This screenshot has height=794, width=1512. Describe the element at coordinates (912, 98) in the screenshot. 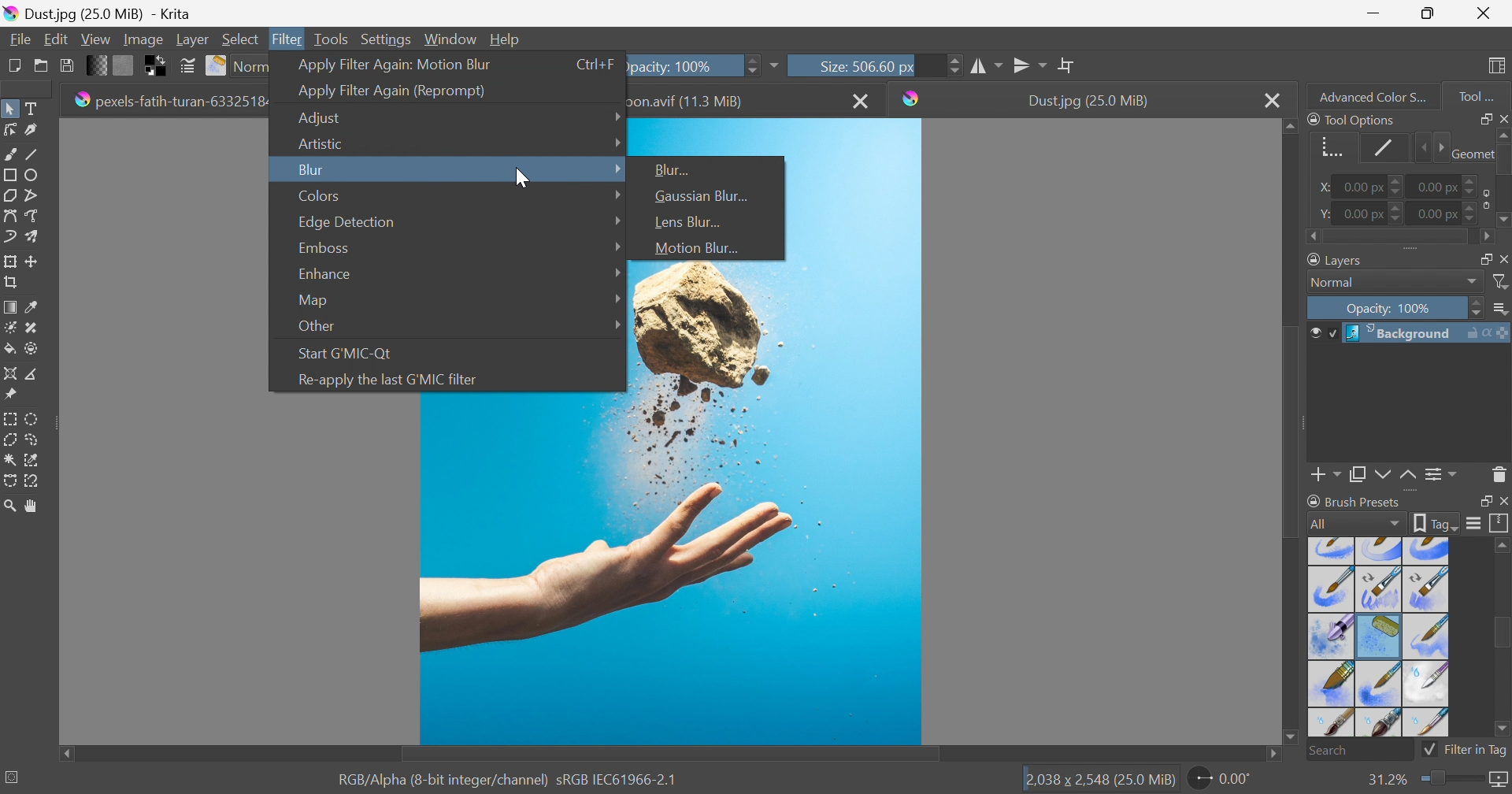

I see `Krita logo` at that location.